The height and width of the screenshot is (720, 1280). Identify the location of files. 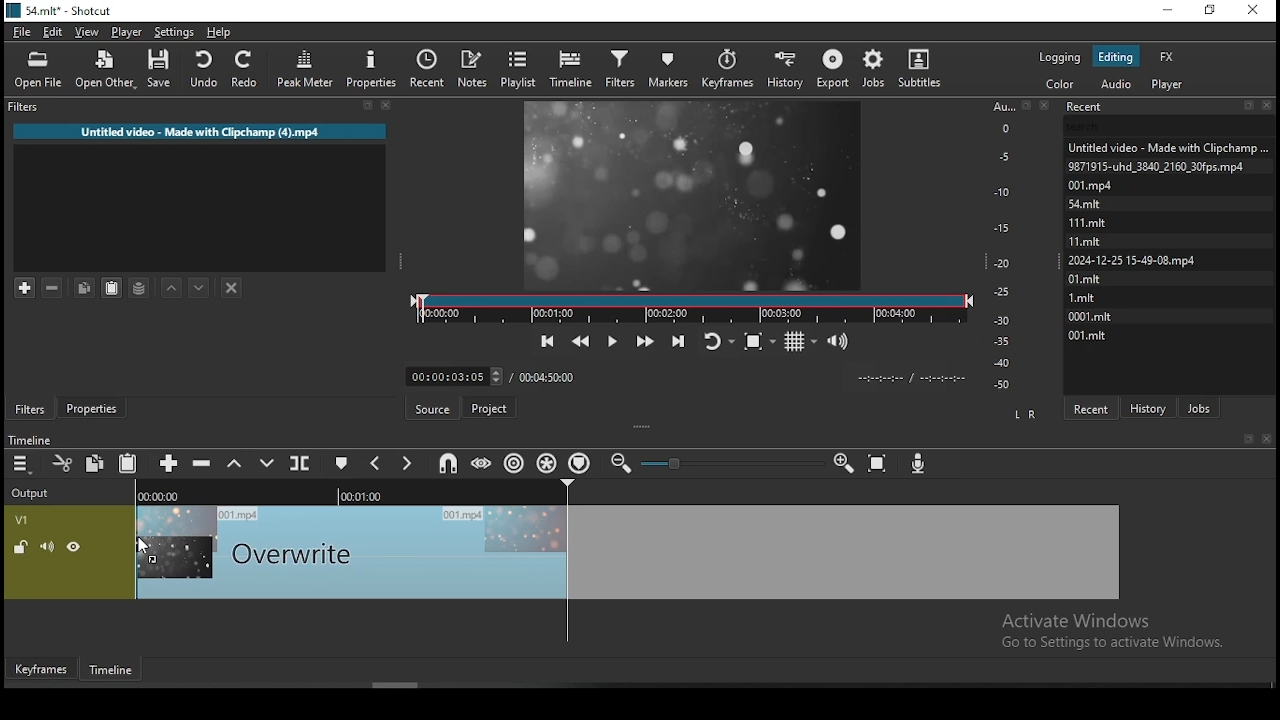
(1084, 220).